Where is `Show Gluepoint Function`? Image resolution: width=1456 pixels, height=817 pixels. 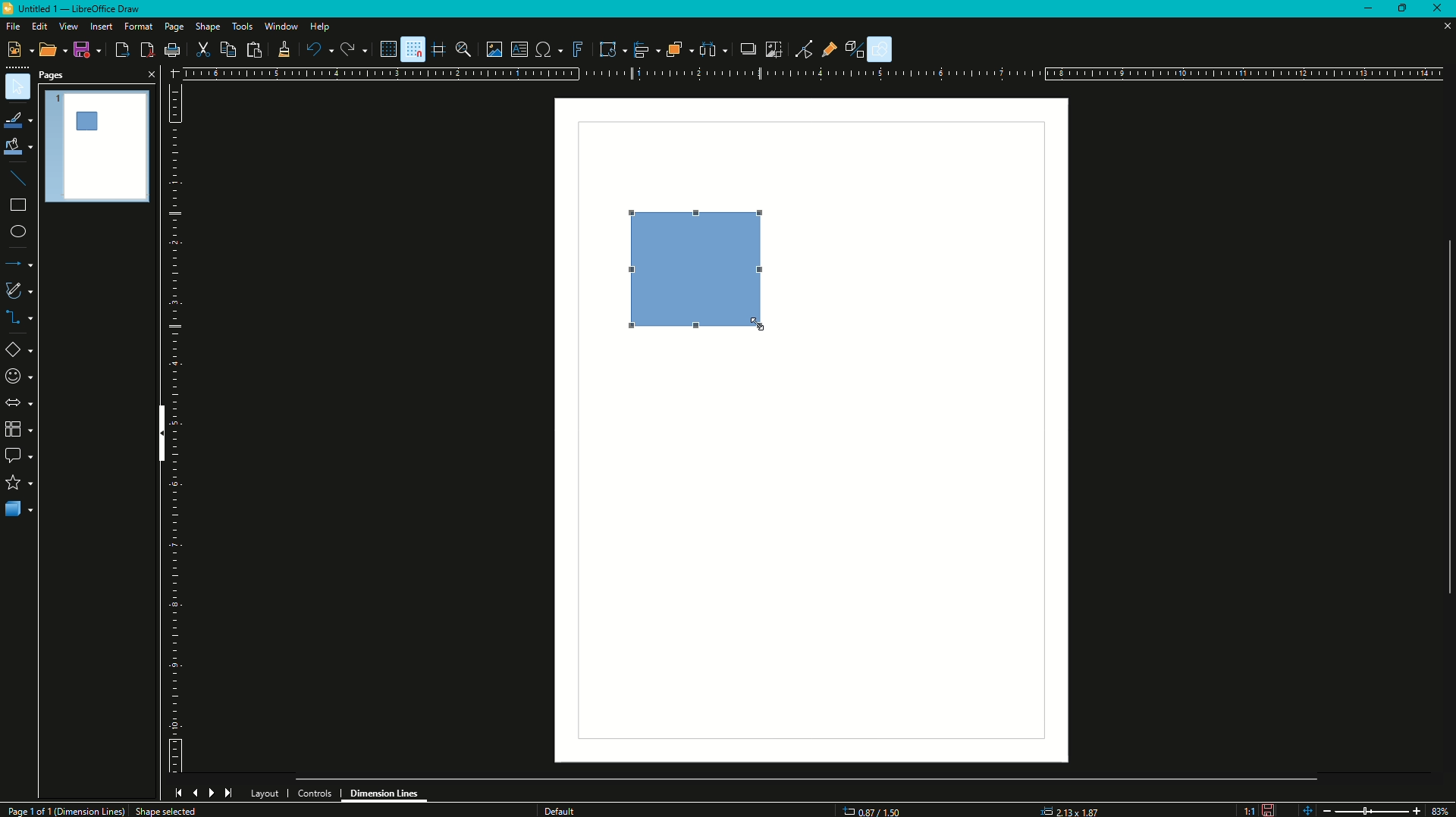
Show Gluepoint Function is located at coordinates (833, 50).